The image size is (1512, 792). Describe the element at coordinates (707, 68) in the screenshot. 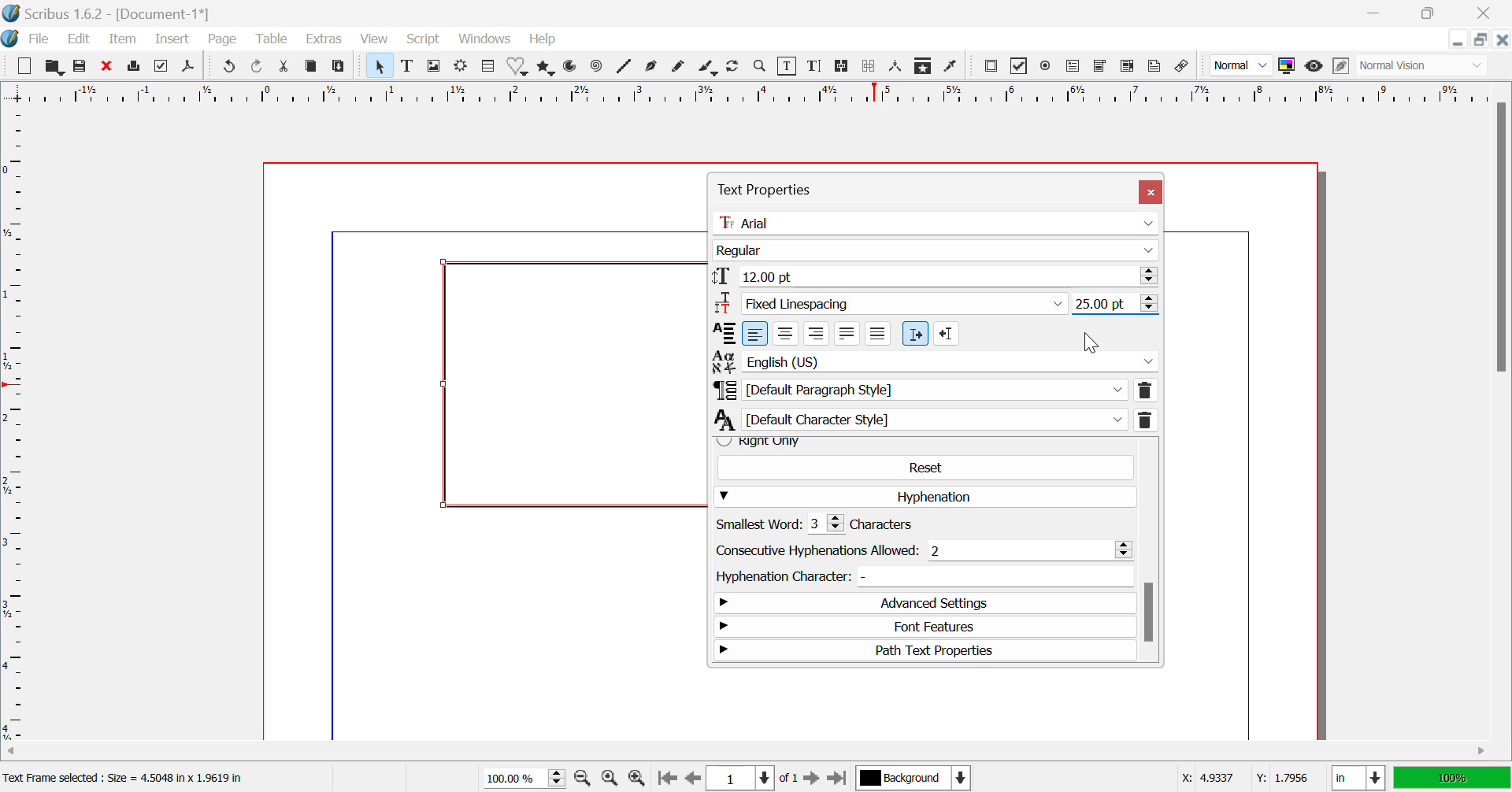

I see `Calligraphic Line` at that location.